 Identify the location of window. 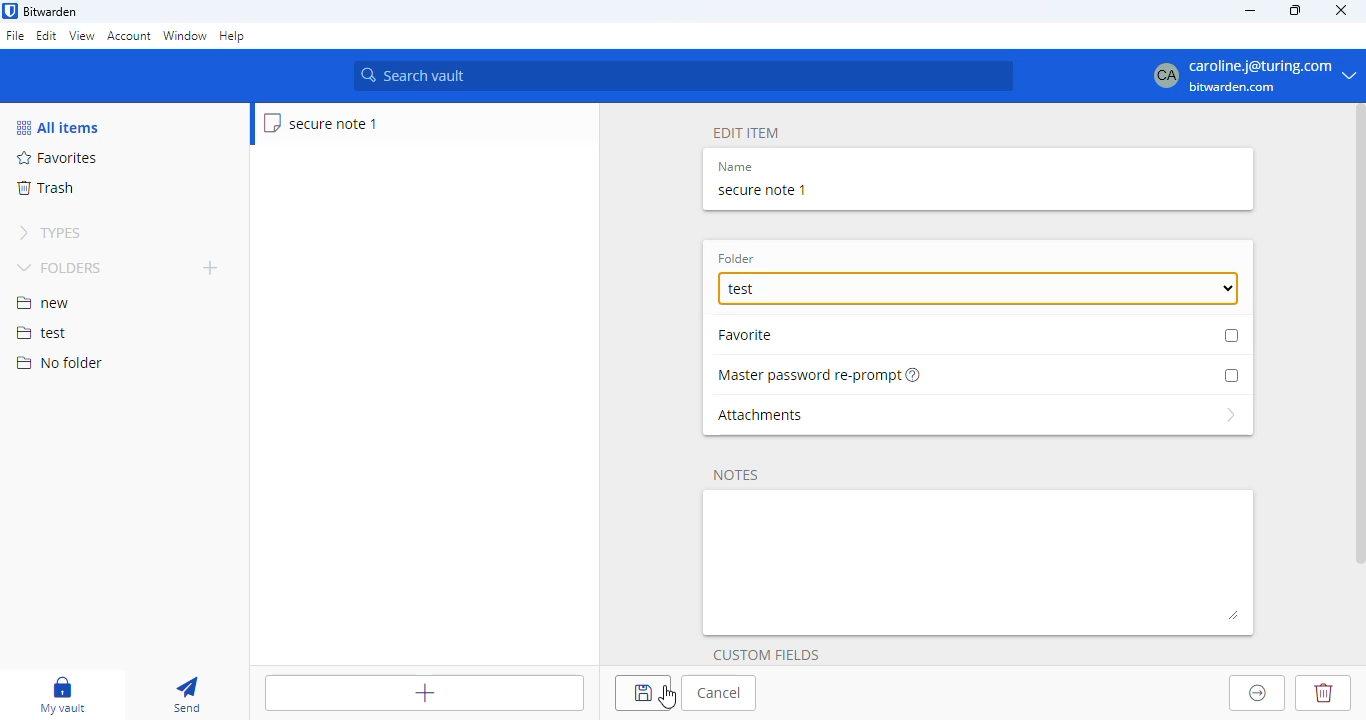
(185, 37).